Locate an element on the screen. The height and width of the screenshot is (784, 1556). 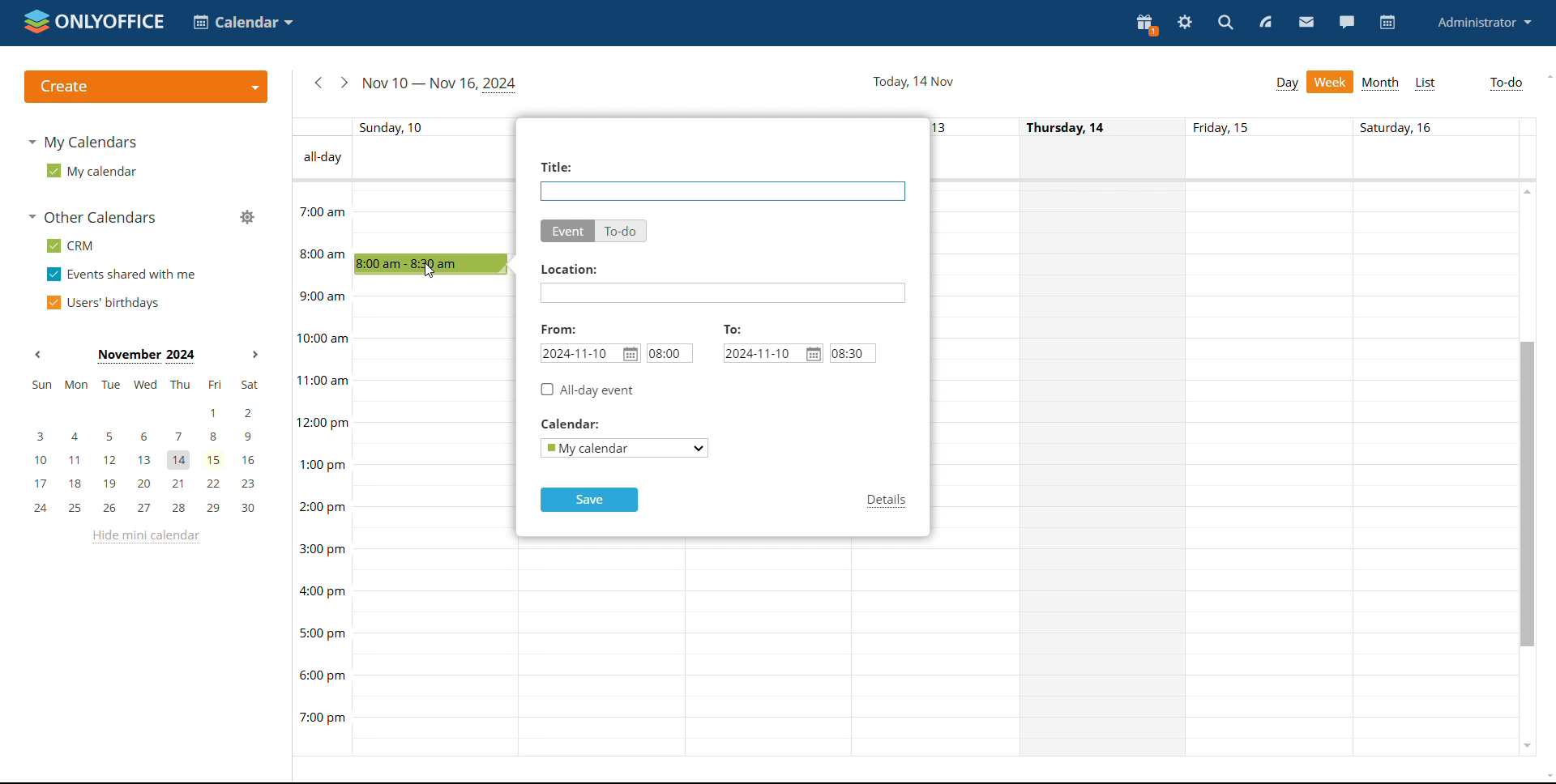
end date is located at coordinates (772, 352).